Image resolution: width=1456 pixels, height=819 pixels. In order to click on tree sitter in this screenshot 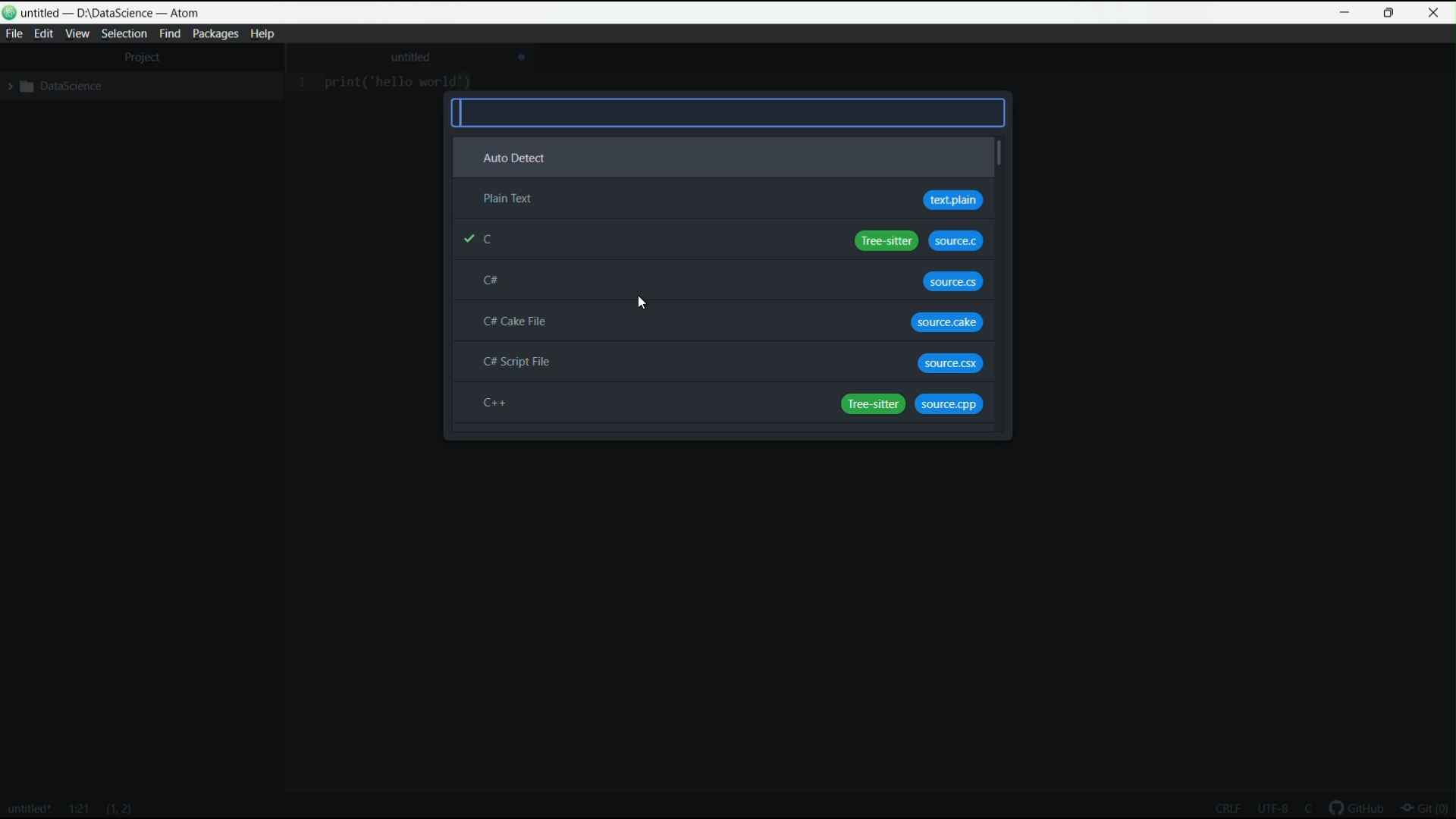, I will do `click(872, 404)`.